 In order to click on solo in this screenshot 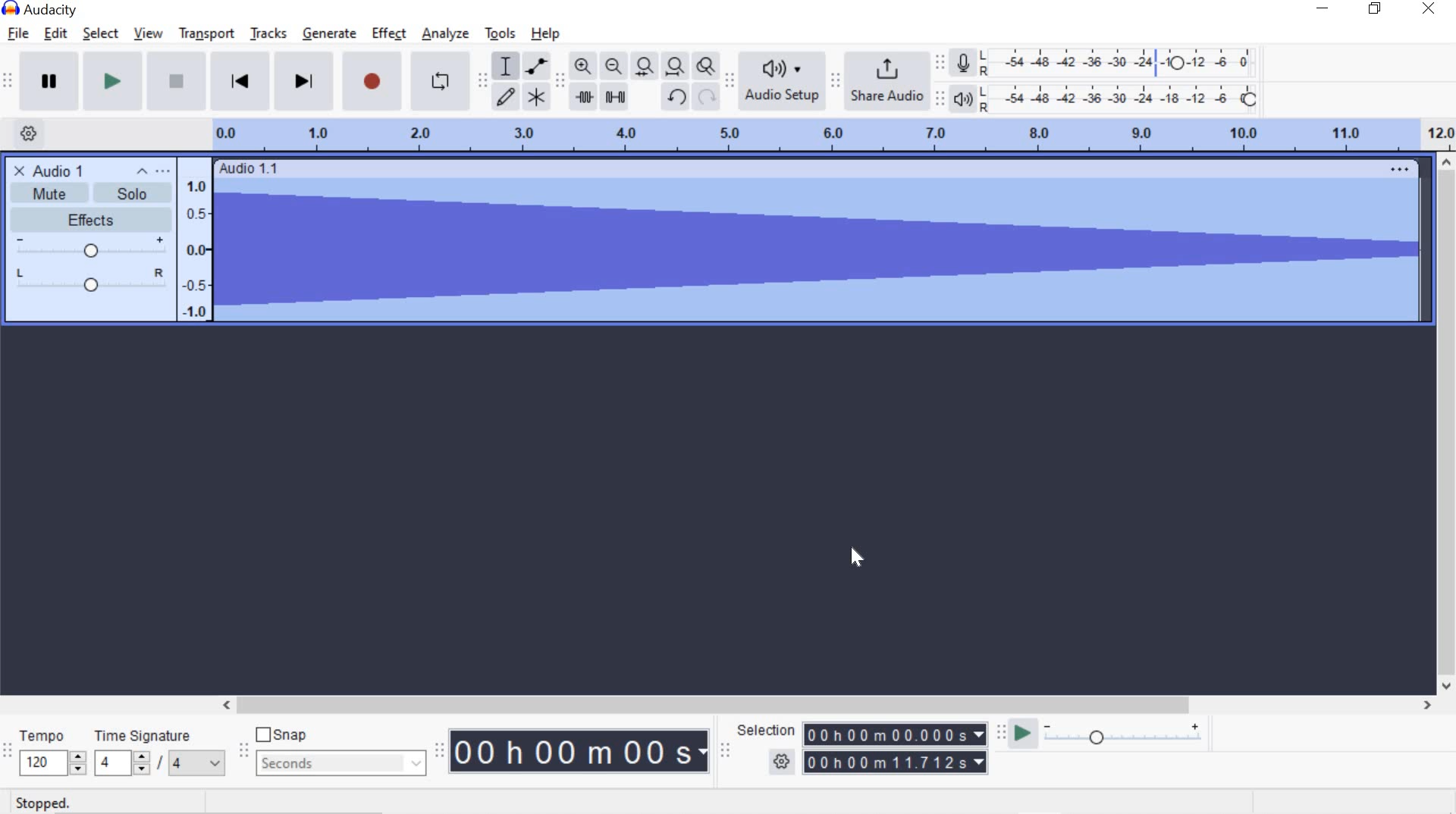, I will do `click(135, 194)`.